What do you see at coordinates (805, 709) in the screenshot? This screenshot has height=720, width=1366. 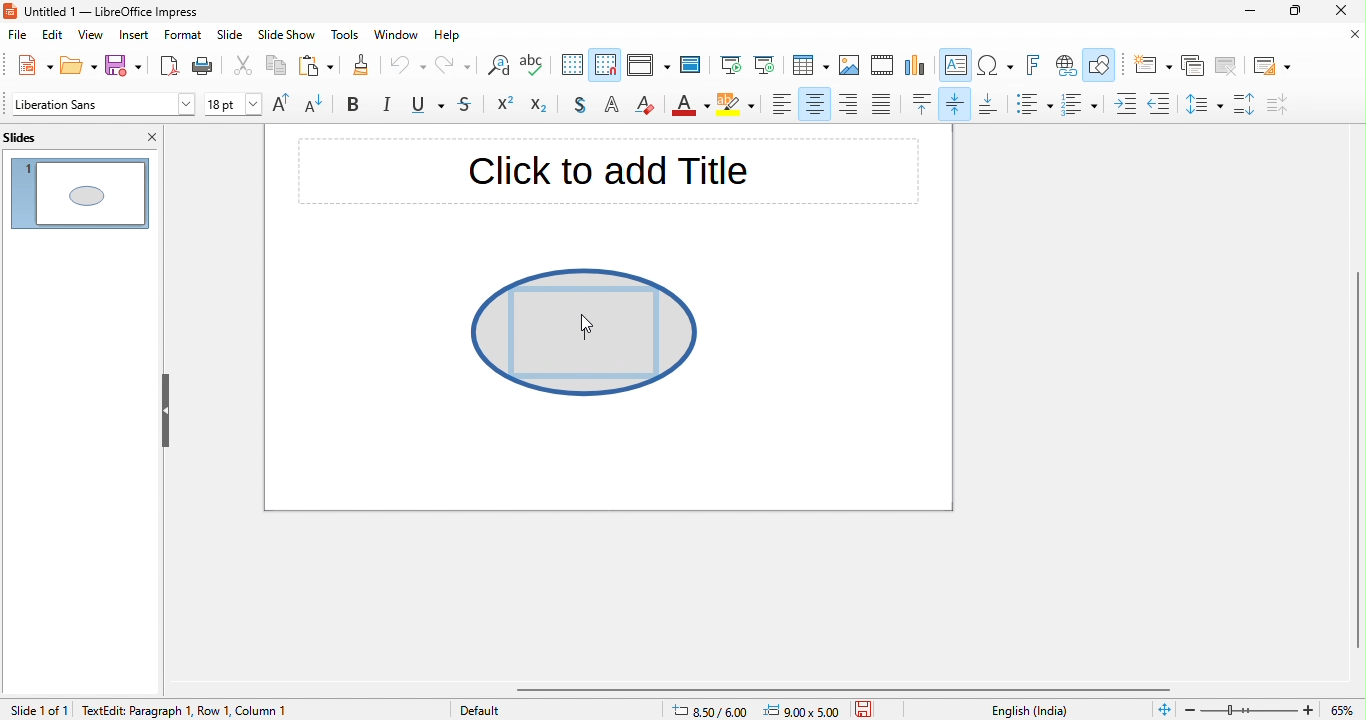 I see `9.00 x5.00` at bounding box center [805, 709].